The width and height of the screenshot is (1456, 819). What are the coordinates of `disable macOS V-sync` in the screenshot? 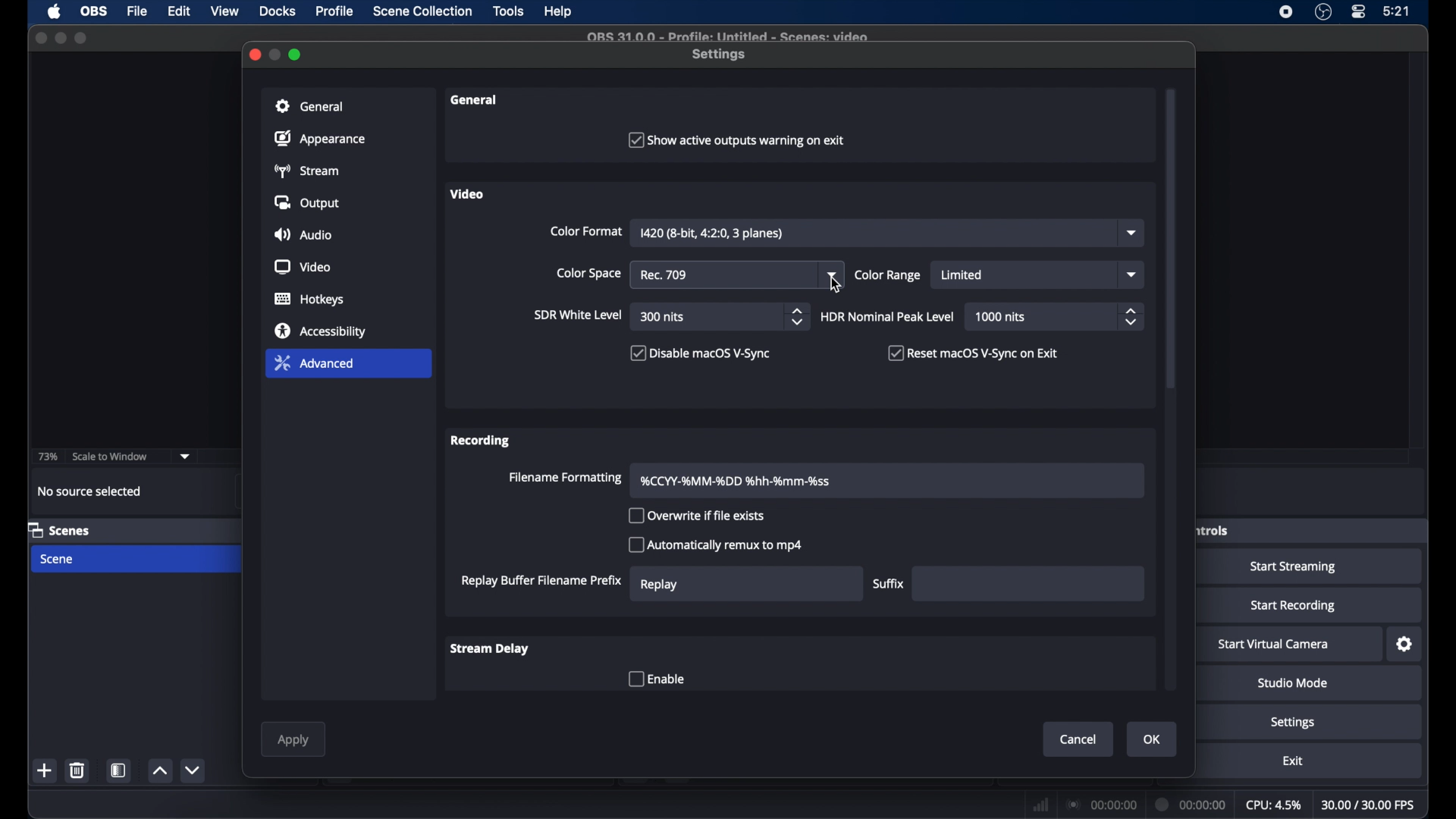 It's located at (701, 353).